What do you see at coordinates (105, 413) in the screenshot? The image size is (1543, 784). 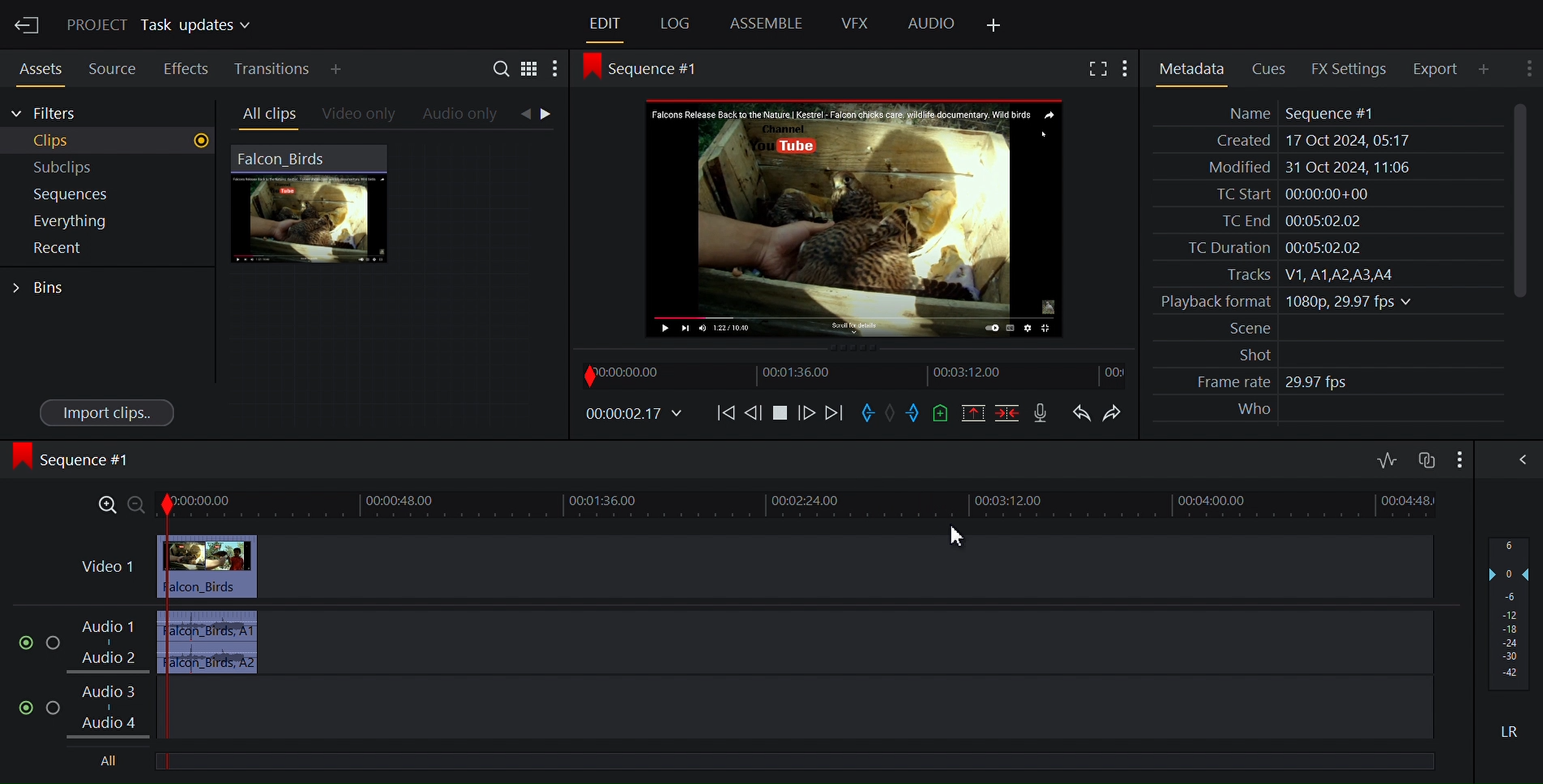 I see `Import clips` at bounding box center [105, 413].